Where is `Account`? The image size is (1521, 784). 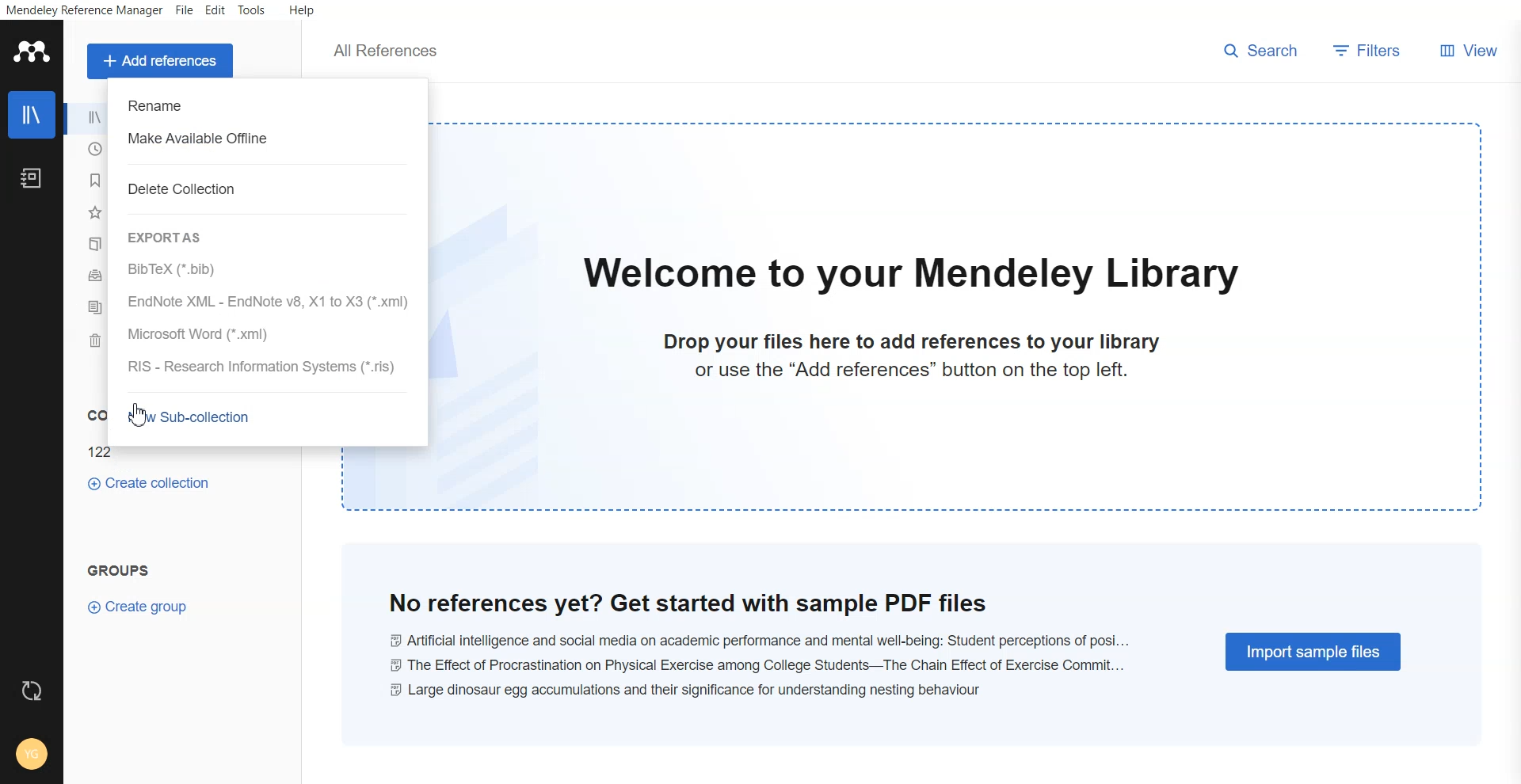
Account is located at coordinates (32, 751).